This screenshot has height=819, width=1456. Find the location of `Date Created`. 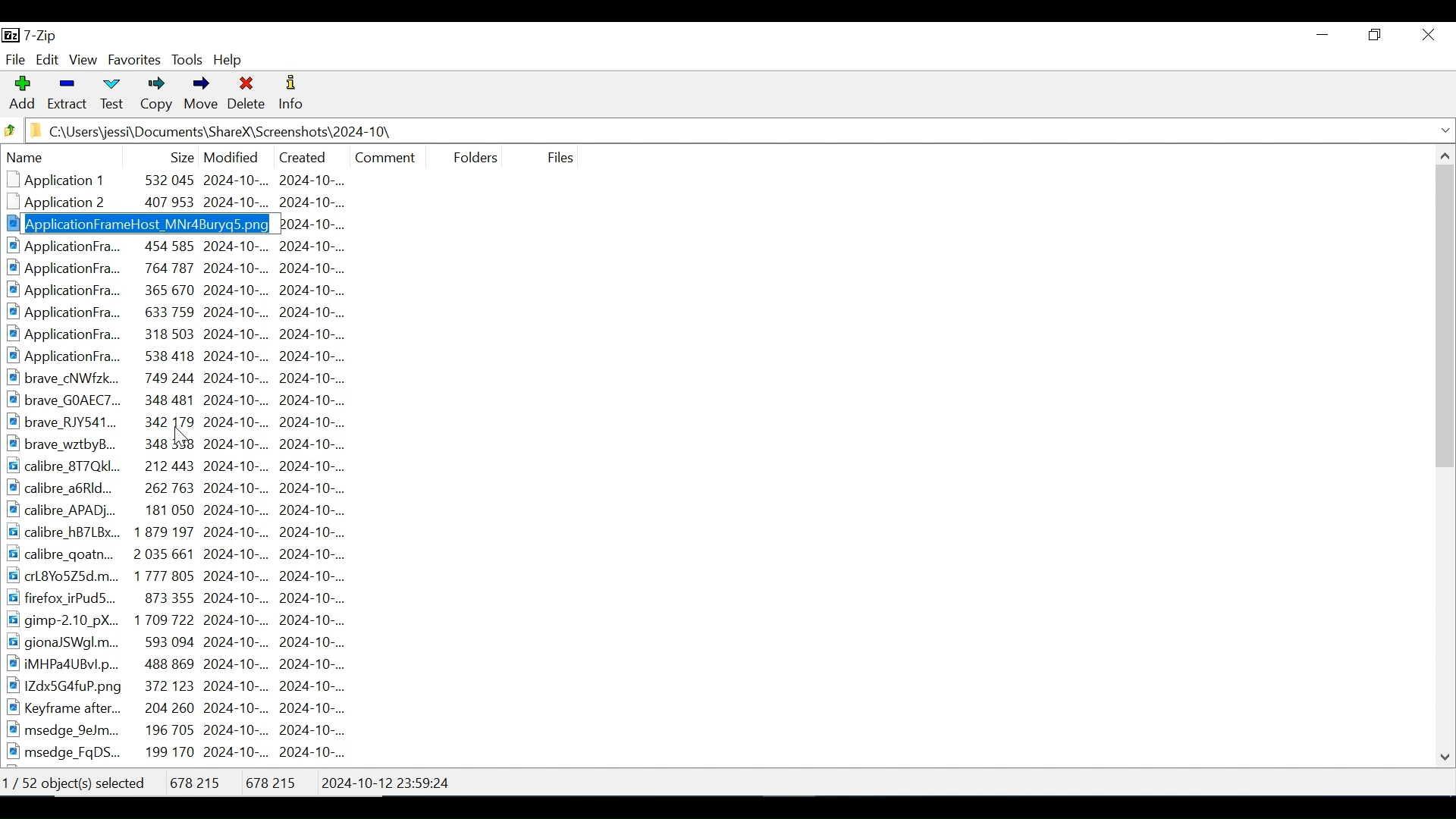

Date Created is located at coordinates (301, 155).